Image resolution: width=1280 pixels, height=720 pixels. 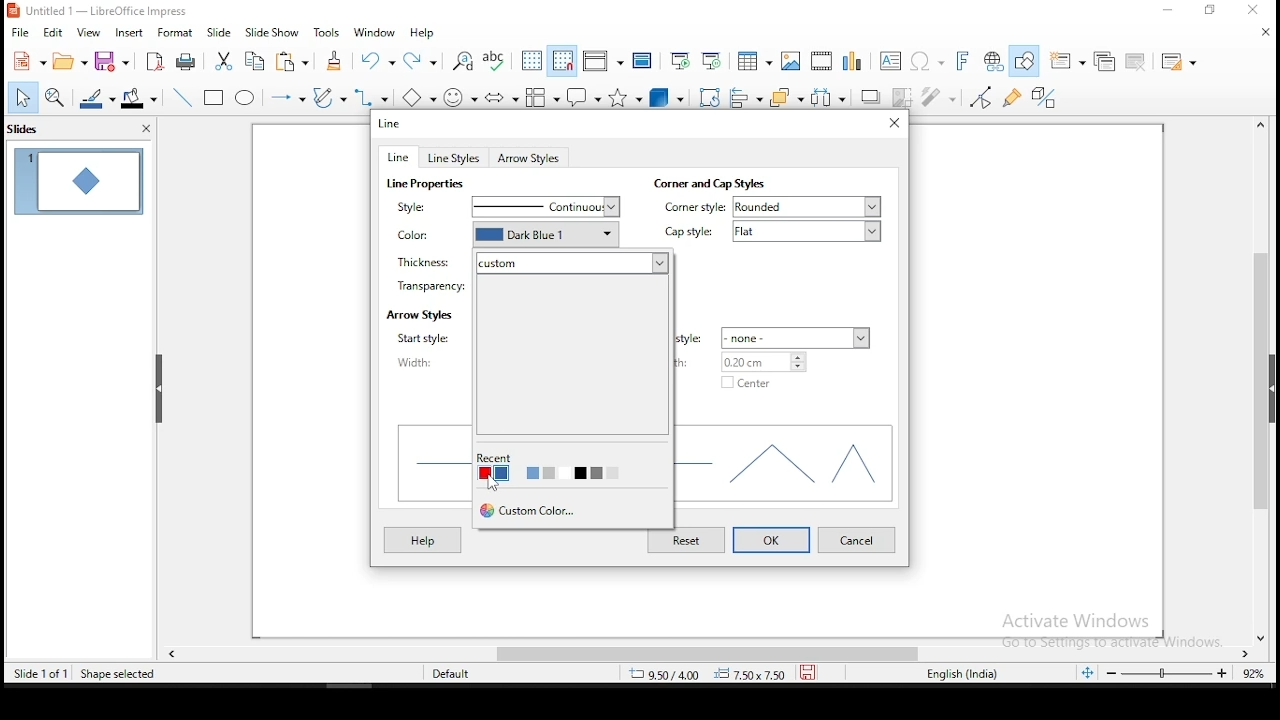 I want to click on align objects, so click(x=744, y=94).